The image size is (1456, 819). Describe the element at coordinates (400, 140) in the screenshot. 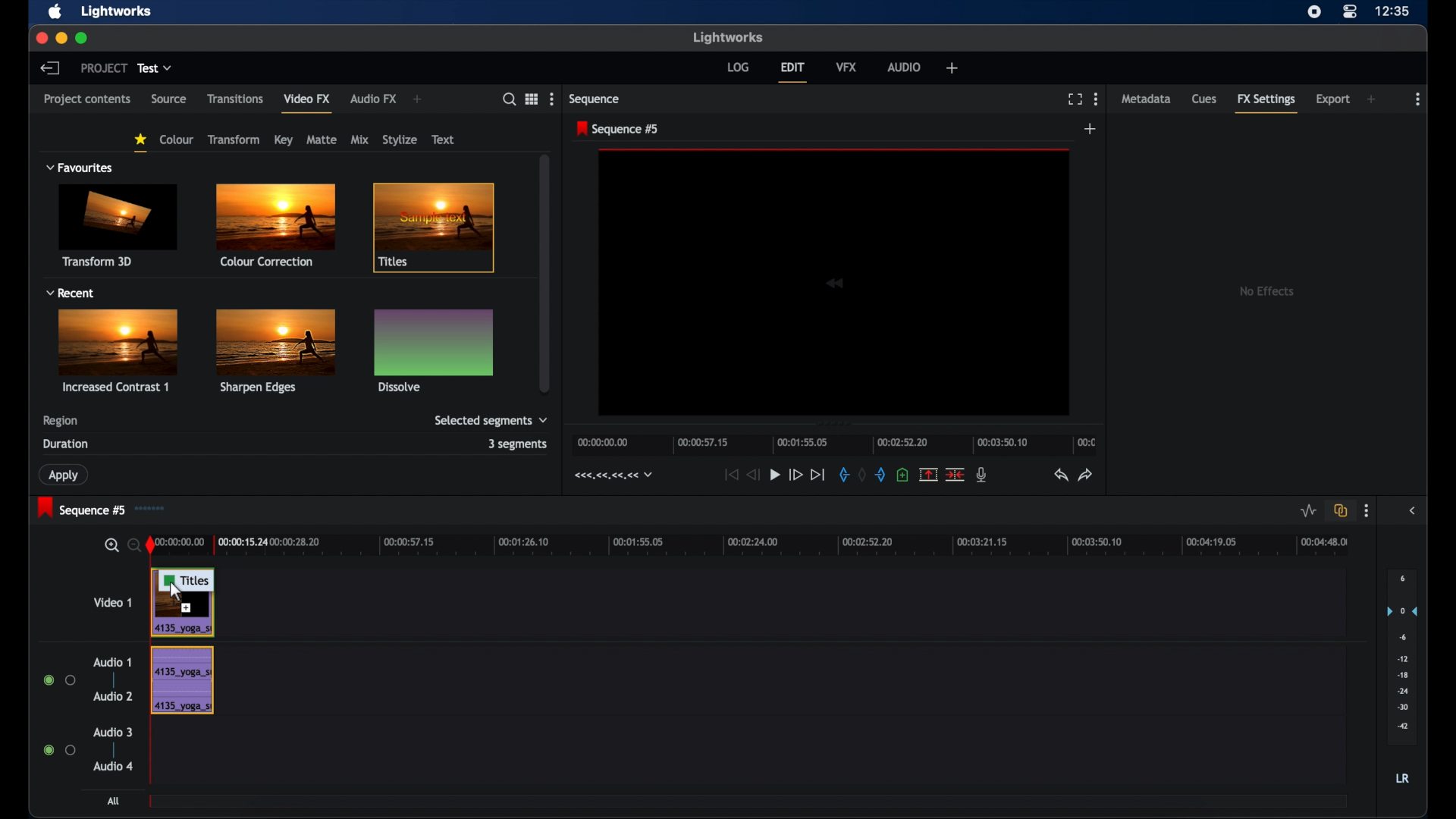

I see `stylize` at that location.